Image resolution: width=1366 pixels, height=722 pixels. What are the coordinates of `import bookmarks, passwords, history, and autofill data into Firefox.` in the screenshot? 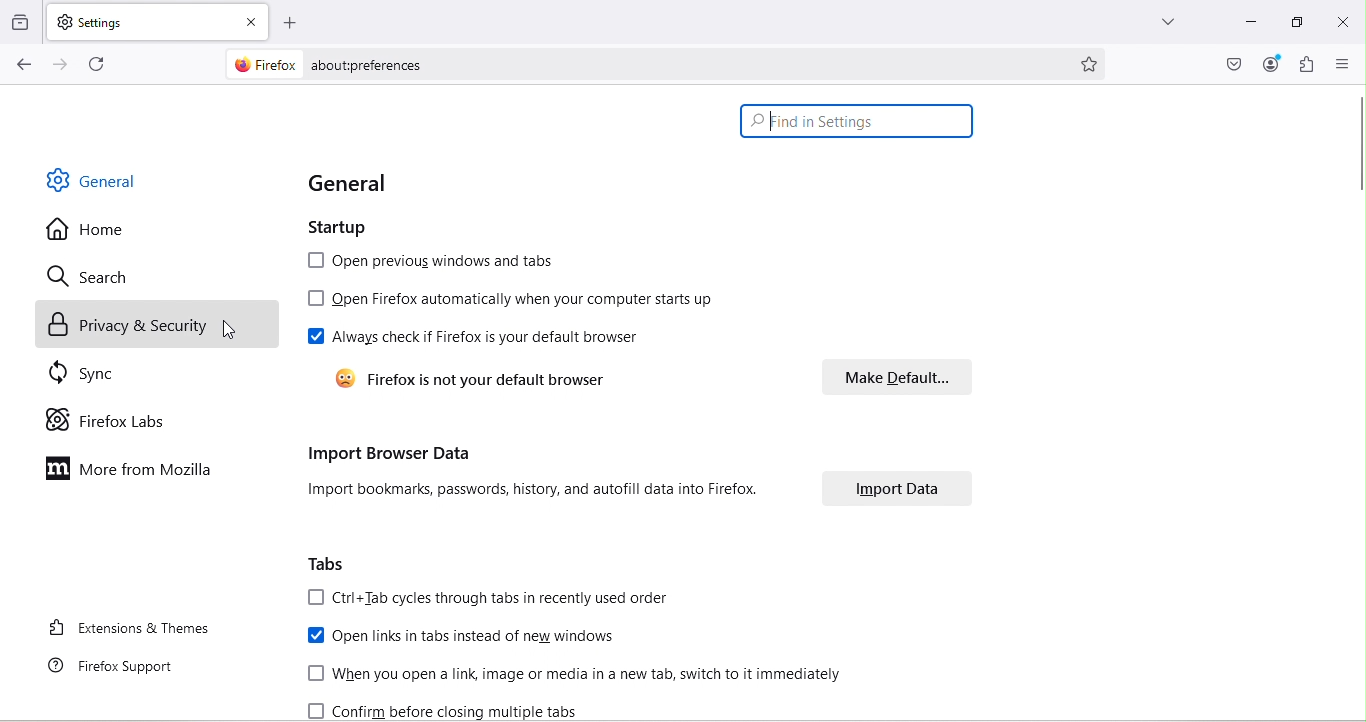 It's located at (539, 494).